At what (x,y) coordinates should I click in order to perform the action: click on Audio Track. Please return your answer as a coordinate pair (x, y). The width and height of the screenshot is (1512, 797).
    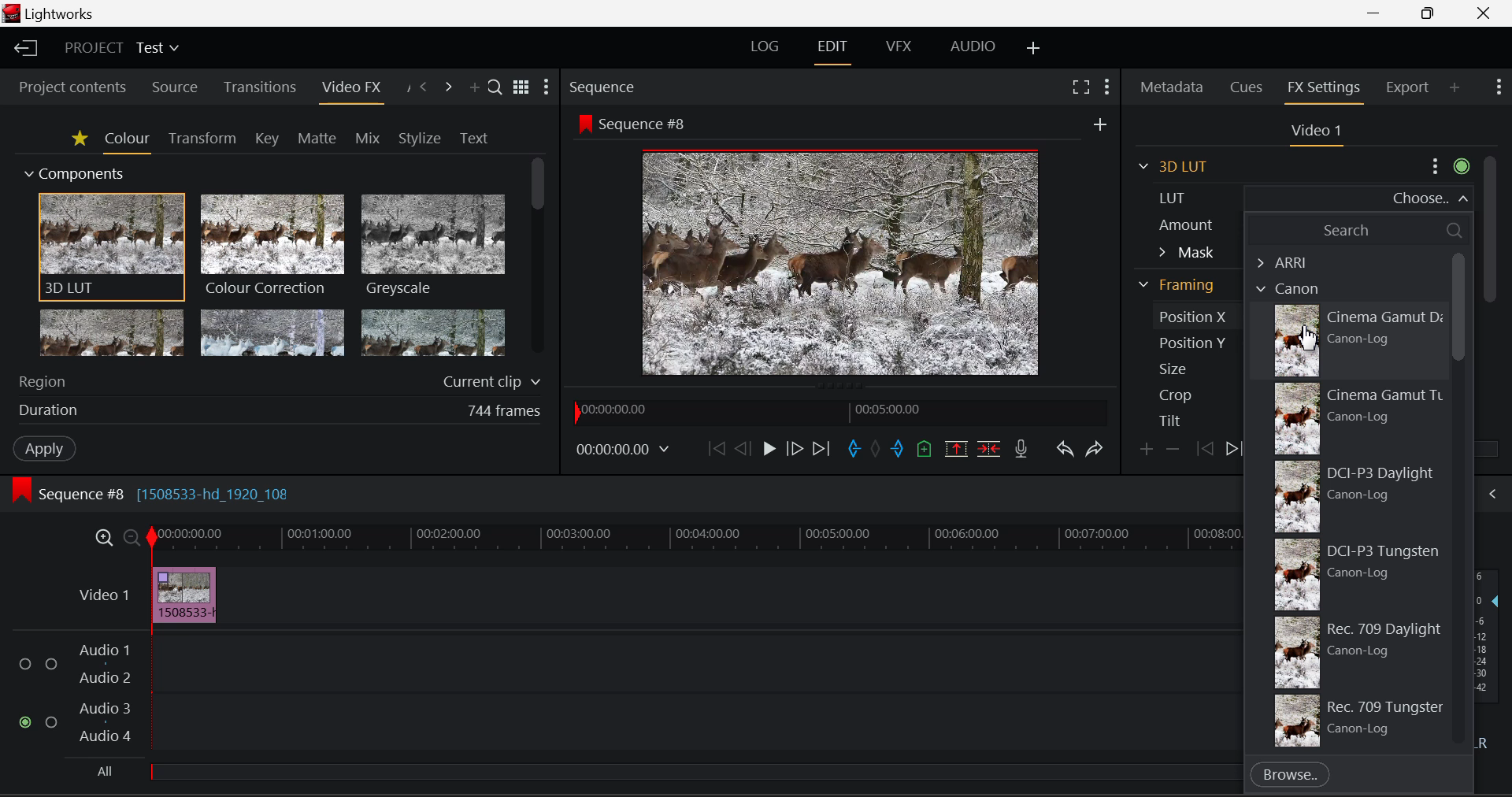
    Looking at the image, I should click on (695, 720).